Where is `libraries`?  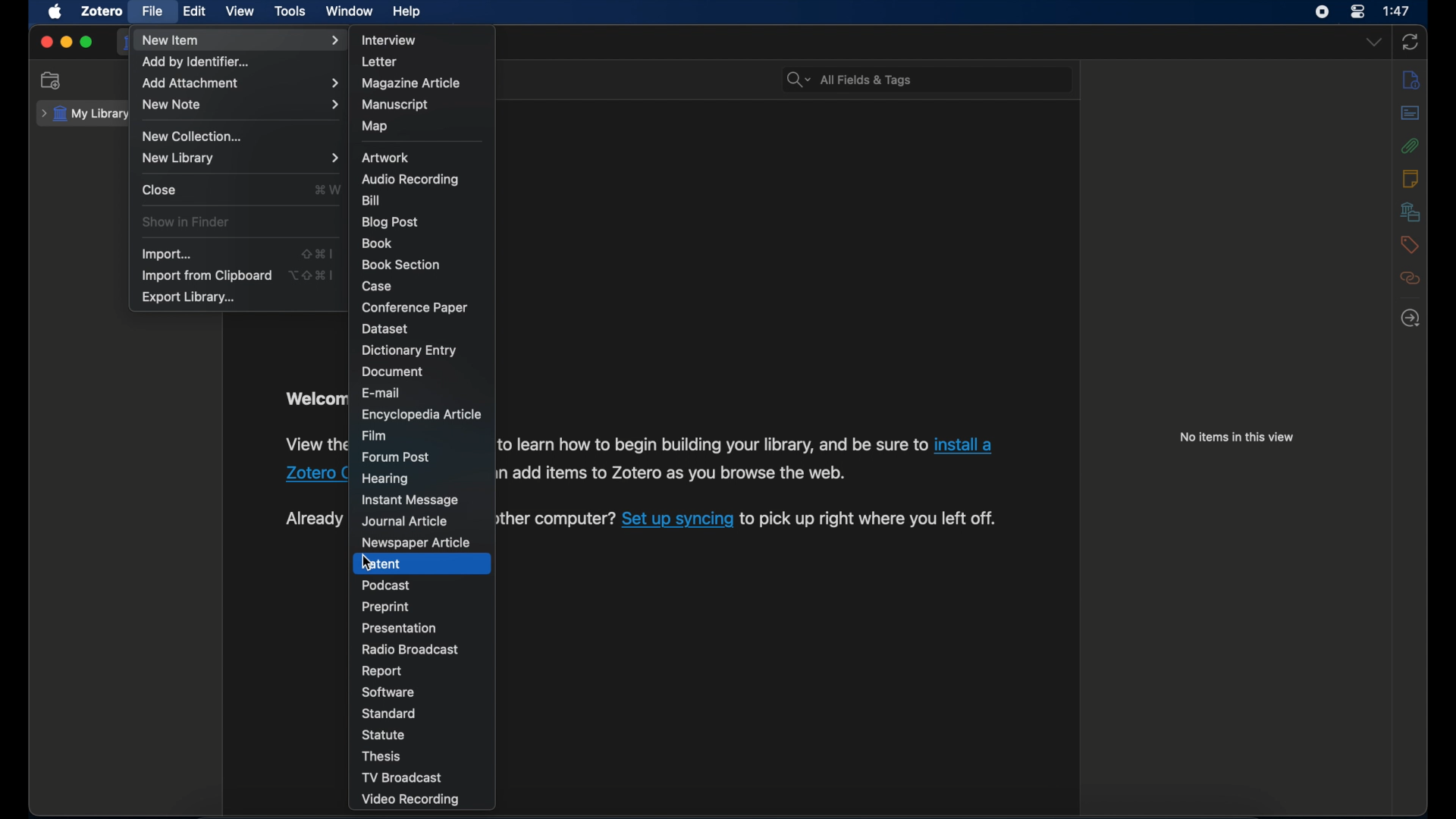 libraries is located at coordinates (1410, 212).